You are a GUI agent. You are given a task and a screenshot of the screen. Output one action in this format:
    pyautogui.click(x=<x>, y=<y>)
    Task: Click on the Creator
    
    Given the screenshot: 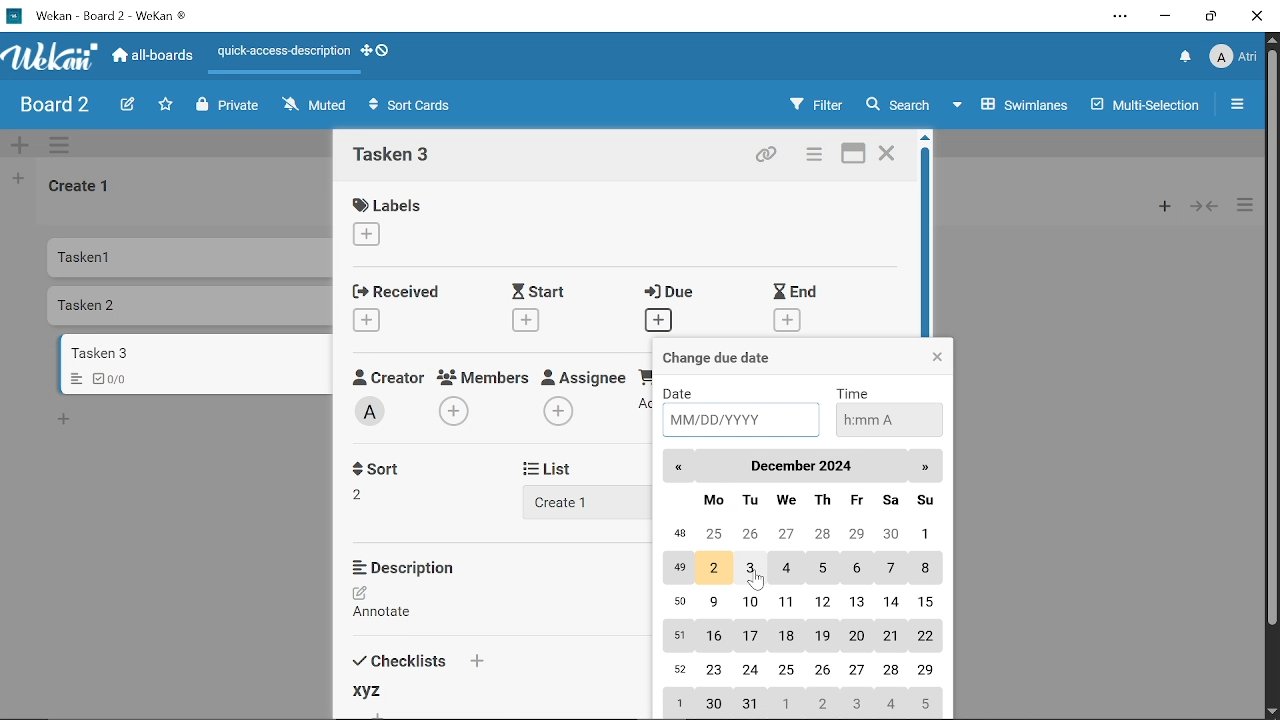 What is the action you would take?
    pyautogui.click(x=387, y=376)
    